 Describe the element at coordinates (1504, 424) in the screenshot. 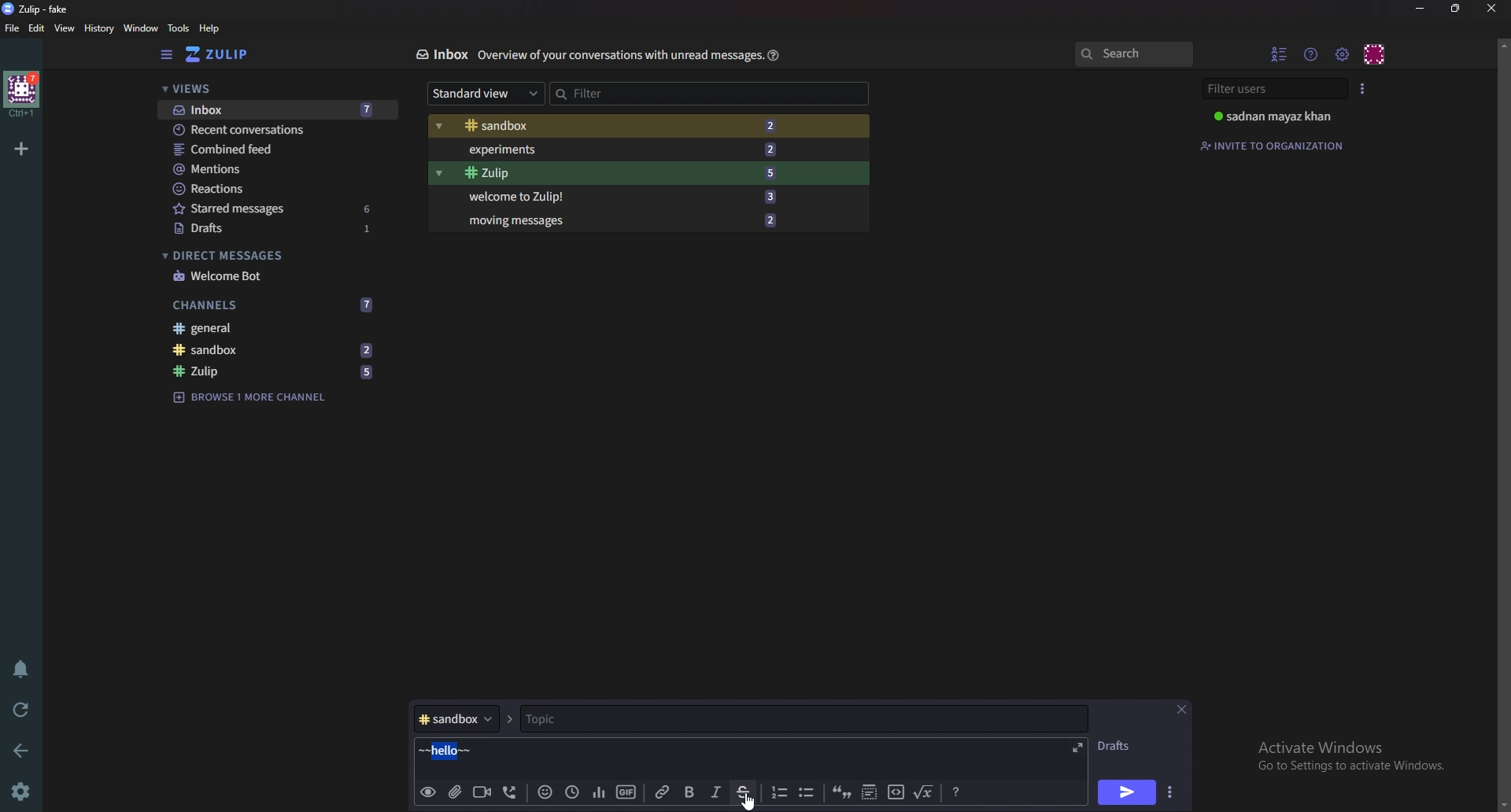

I see `scroll bar` at that location.